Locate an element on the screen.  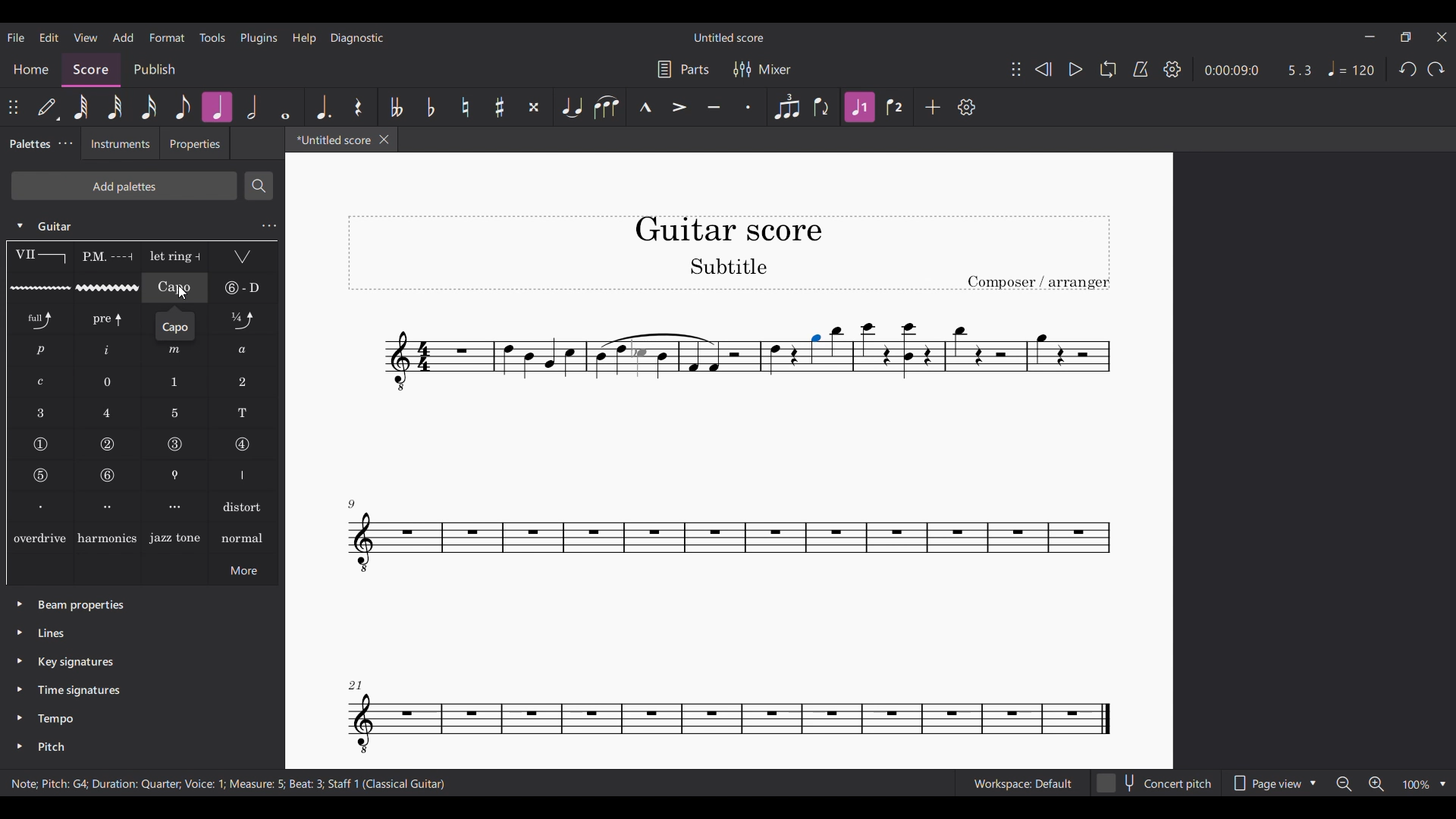
Rest is located at coordinates (359, 107).